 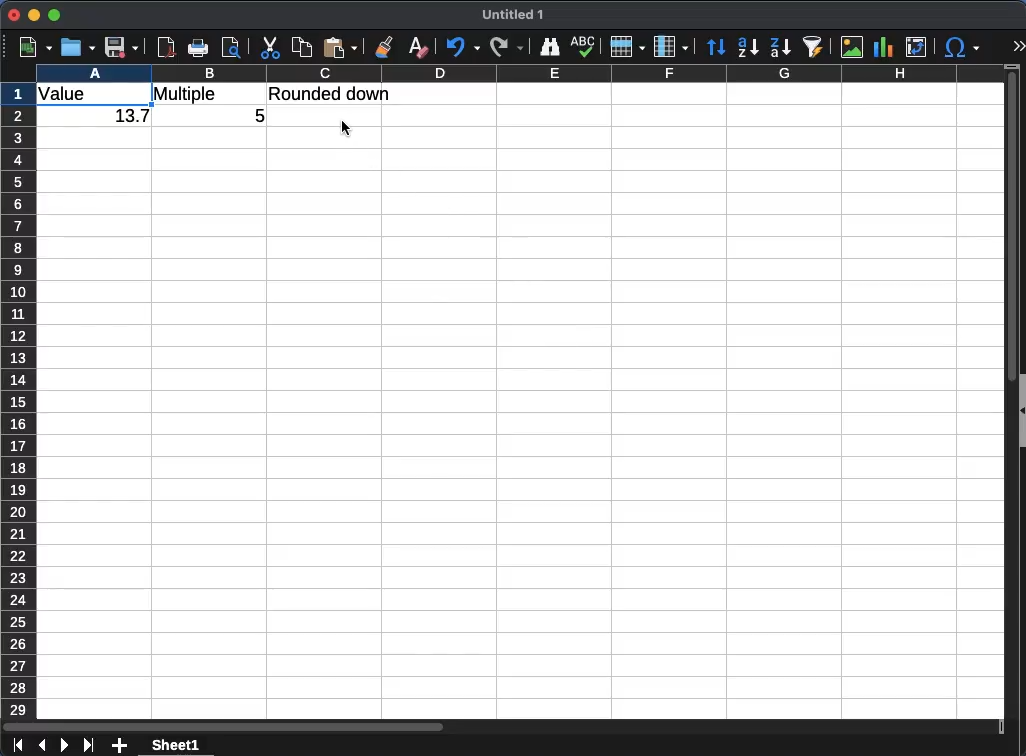 What do you see at coordinates (331, 93) in the screenshot?
I see `rounded down` at bounding box center [331, 93].